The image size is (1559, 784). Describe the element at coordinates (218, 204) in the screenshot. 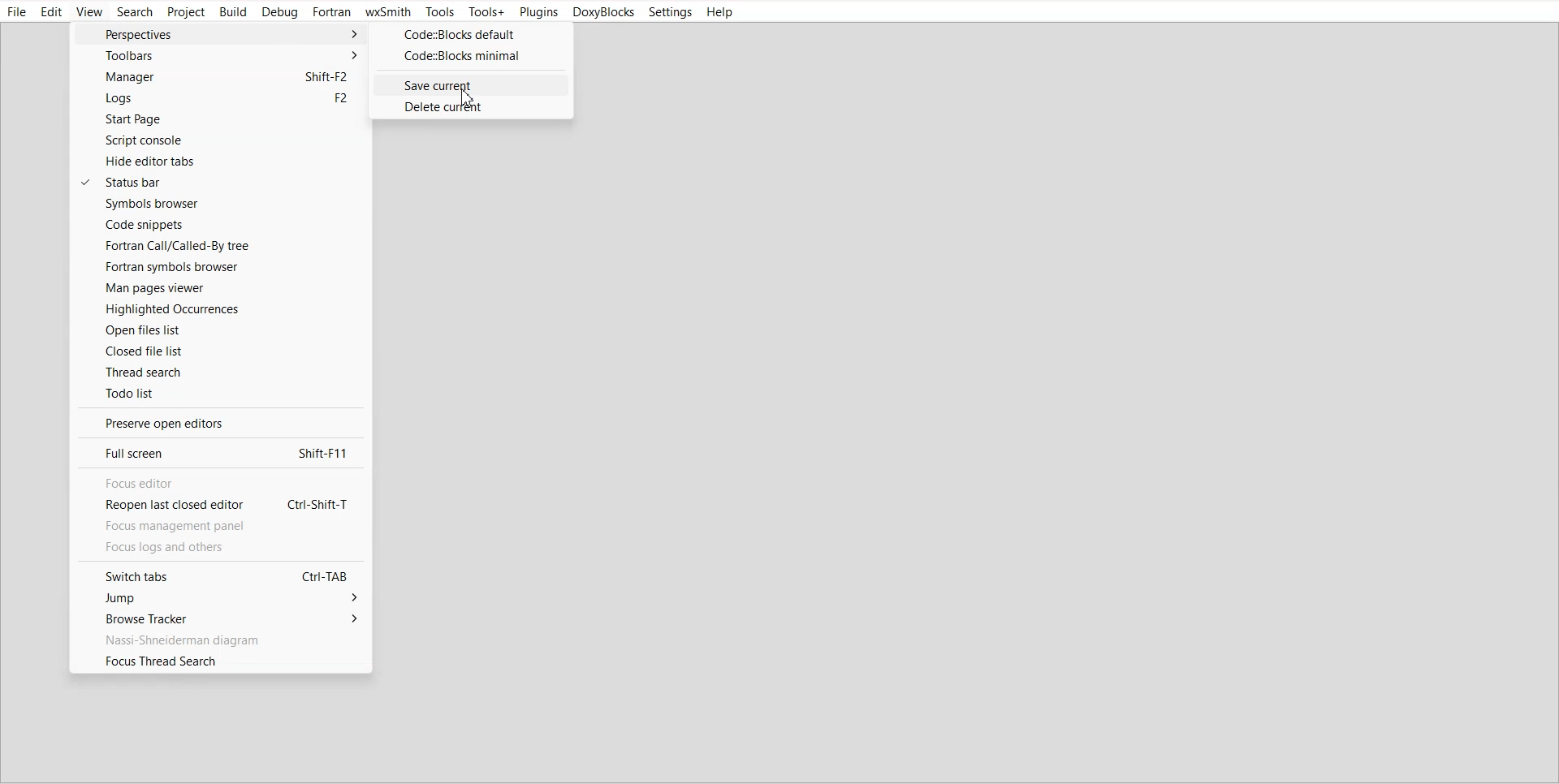

I see `Symbol browser` at that location.